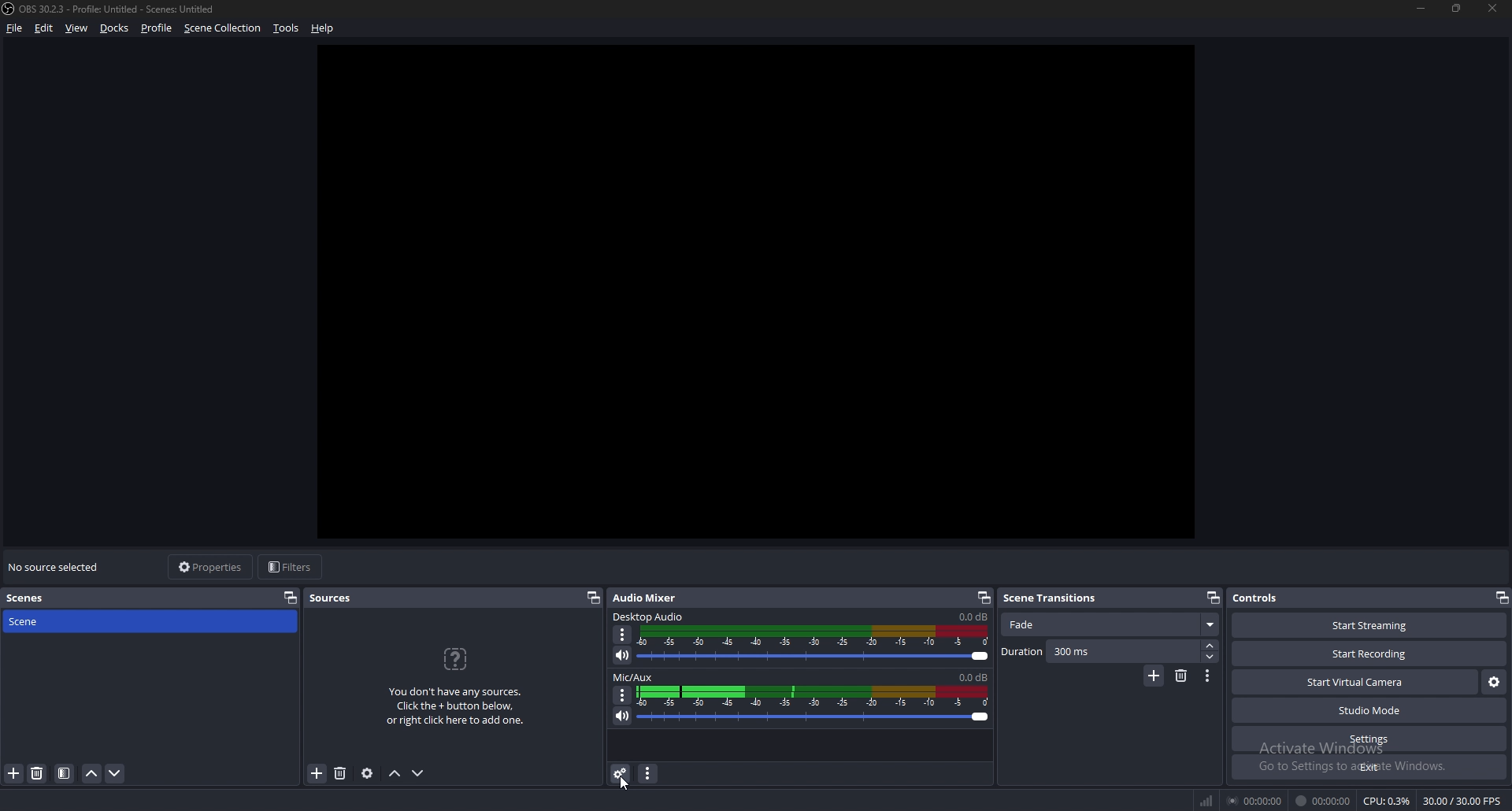 This screenshot has height=811, width=1512. I want to click on pop out, so click(1501, 597).